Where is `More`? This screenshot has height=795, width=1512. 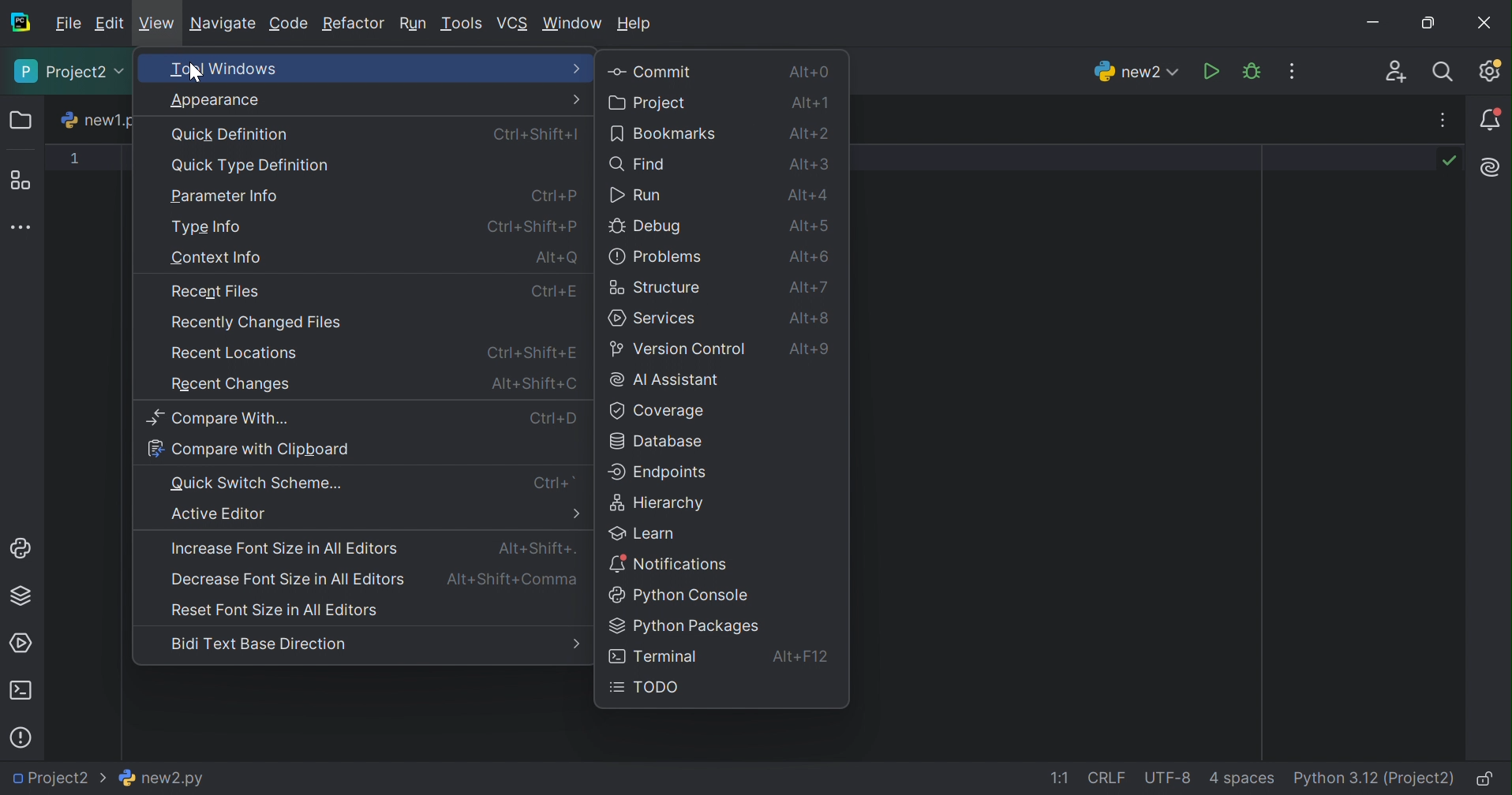
More is located at coordinates (575, 514).